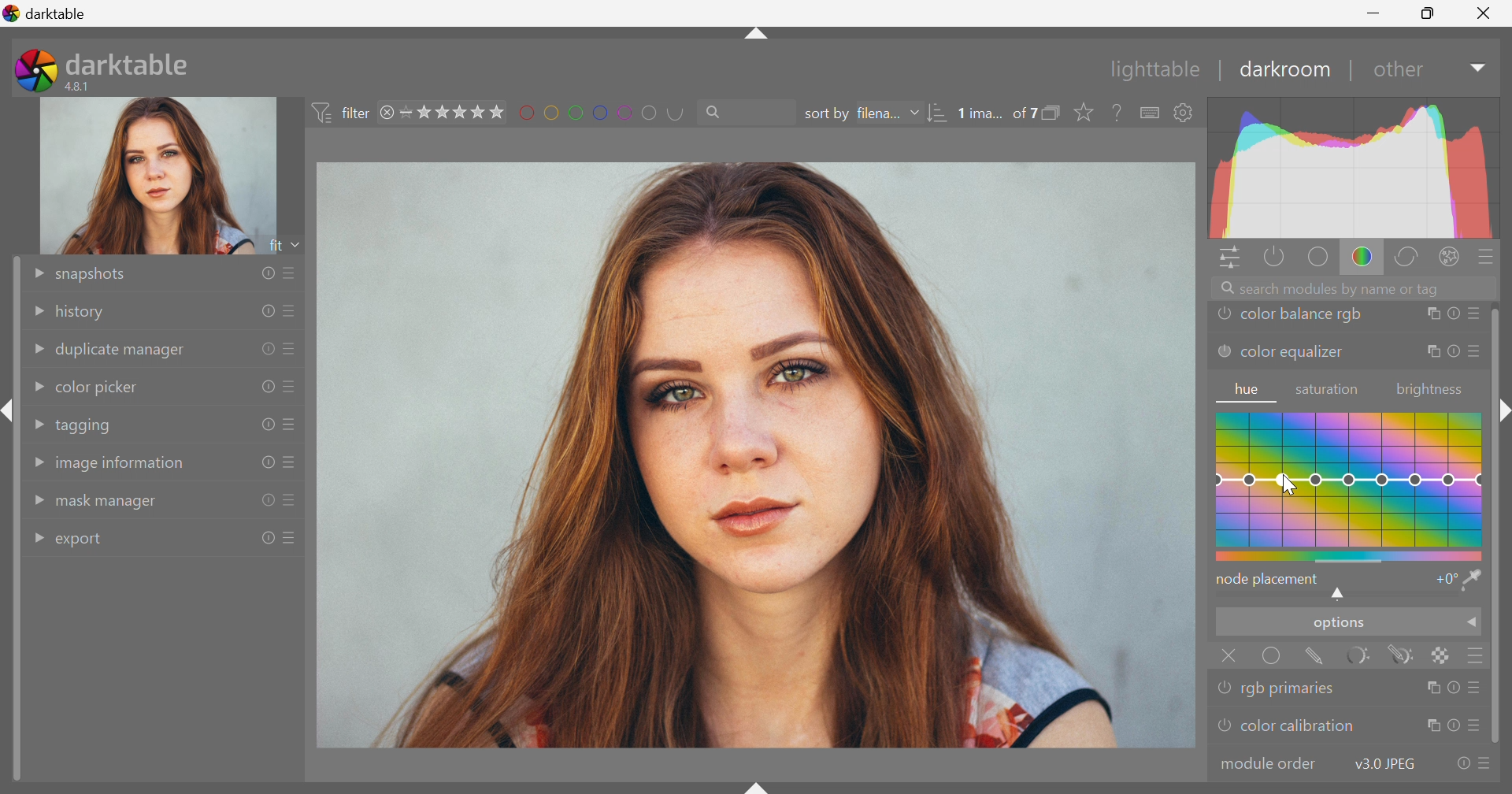 The height and width of the screenshot is (794, 1512). I want to click on options, so click(1336, 625).